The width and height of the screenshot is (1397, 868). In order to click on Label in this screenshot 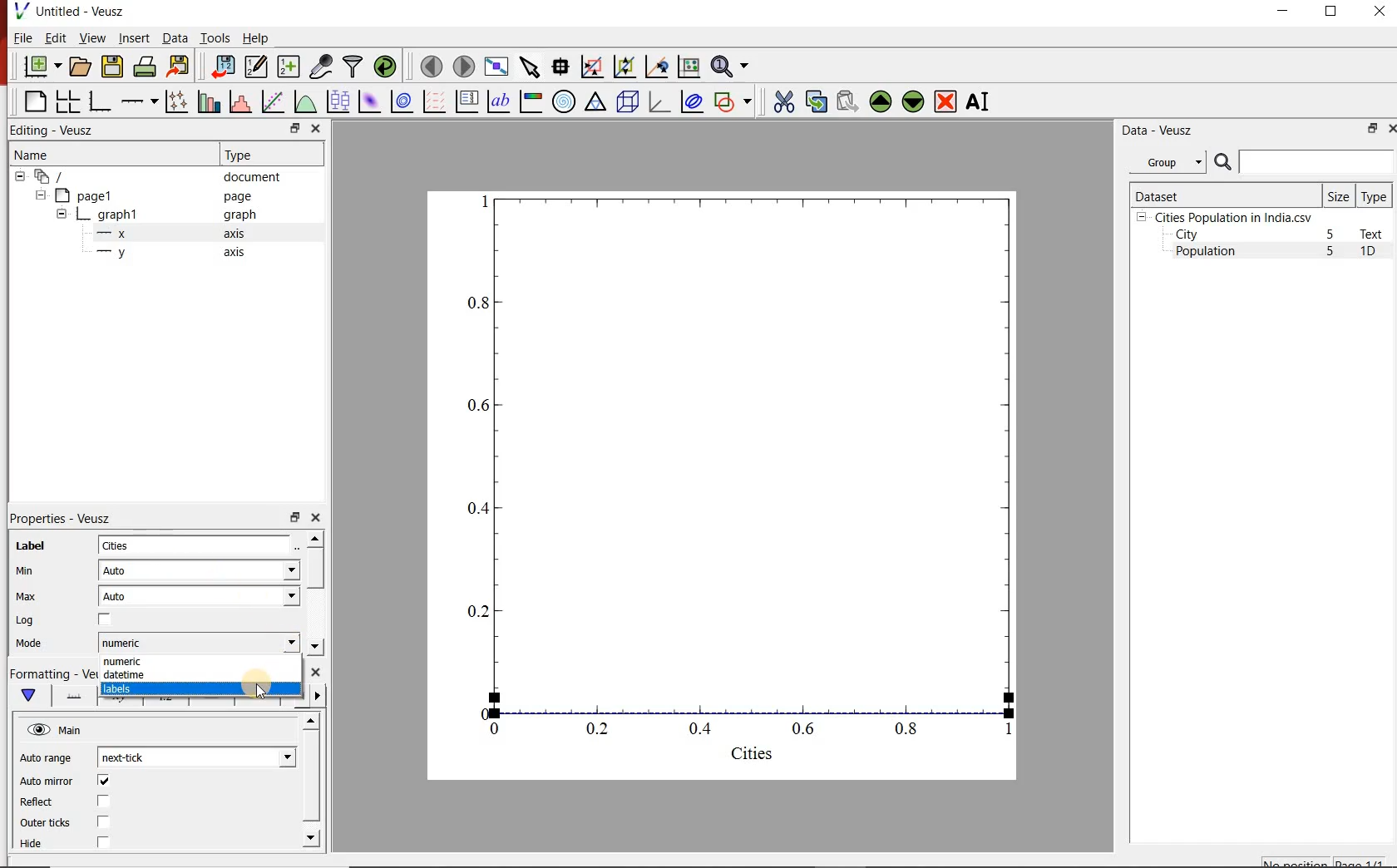, I will do `click(27, 545)`.